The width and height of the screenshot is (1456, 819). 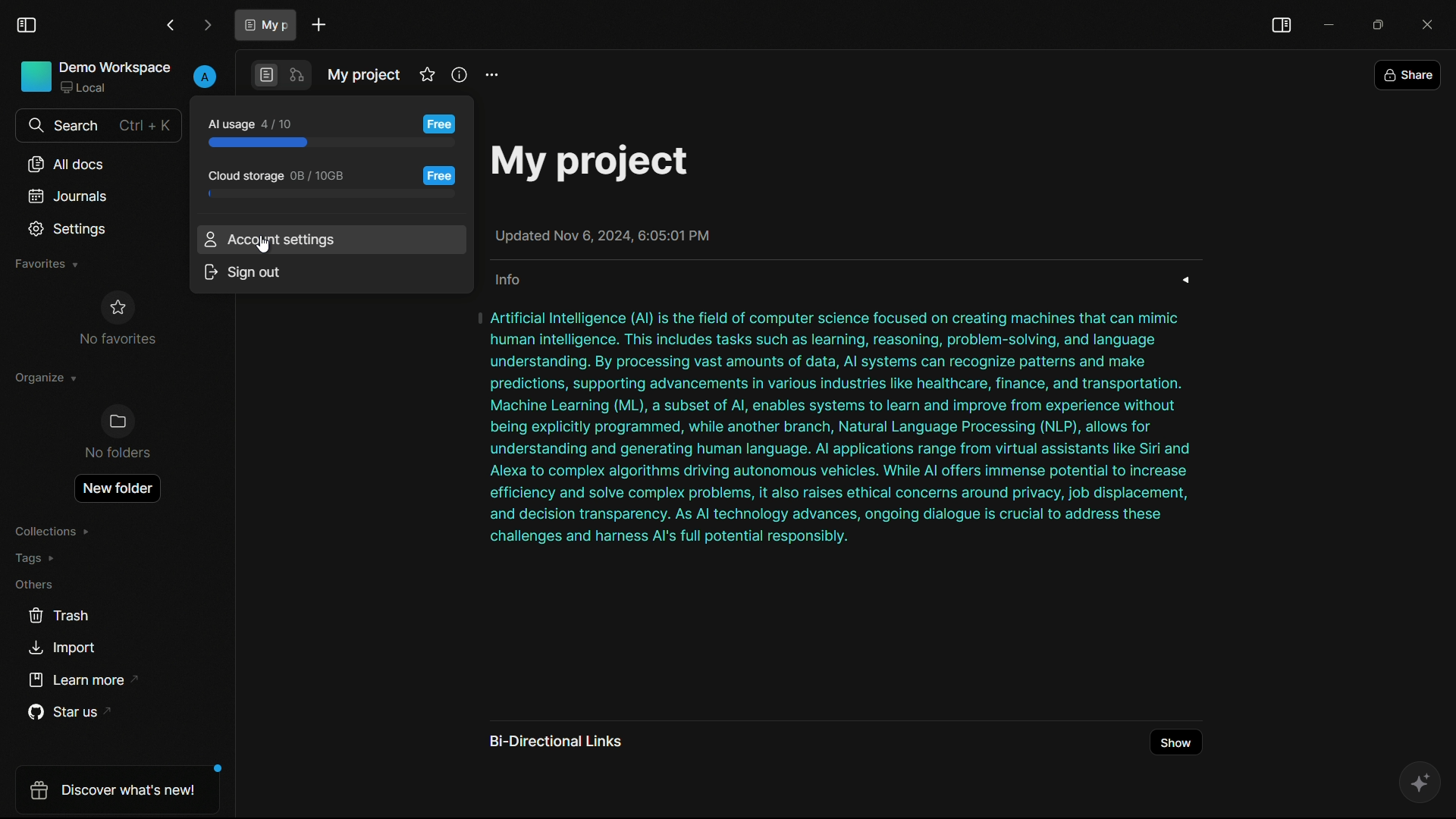 What do you see at coordinates (268, 249) in the screenshot?
I see `Cursor` at bounding box center [268, 249].